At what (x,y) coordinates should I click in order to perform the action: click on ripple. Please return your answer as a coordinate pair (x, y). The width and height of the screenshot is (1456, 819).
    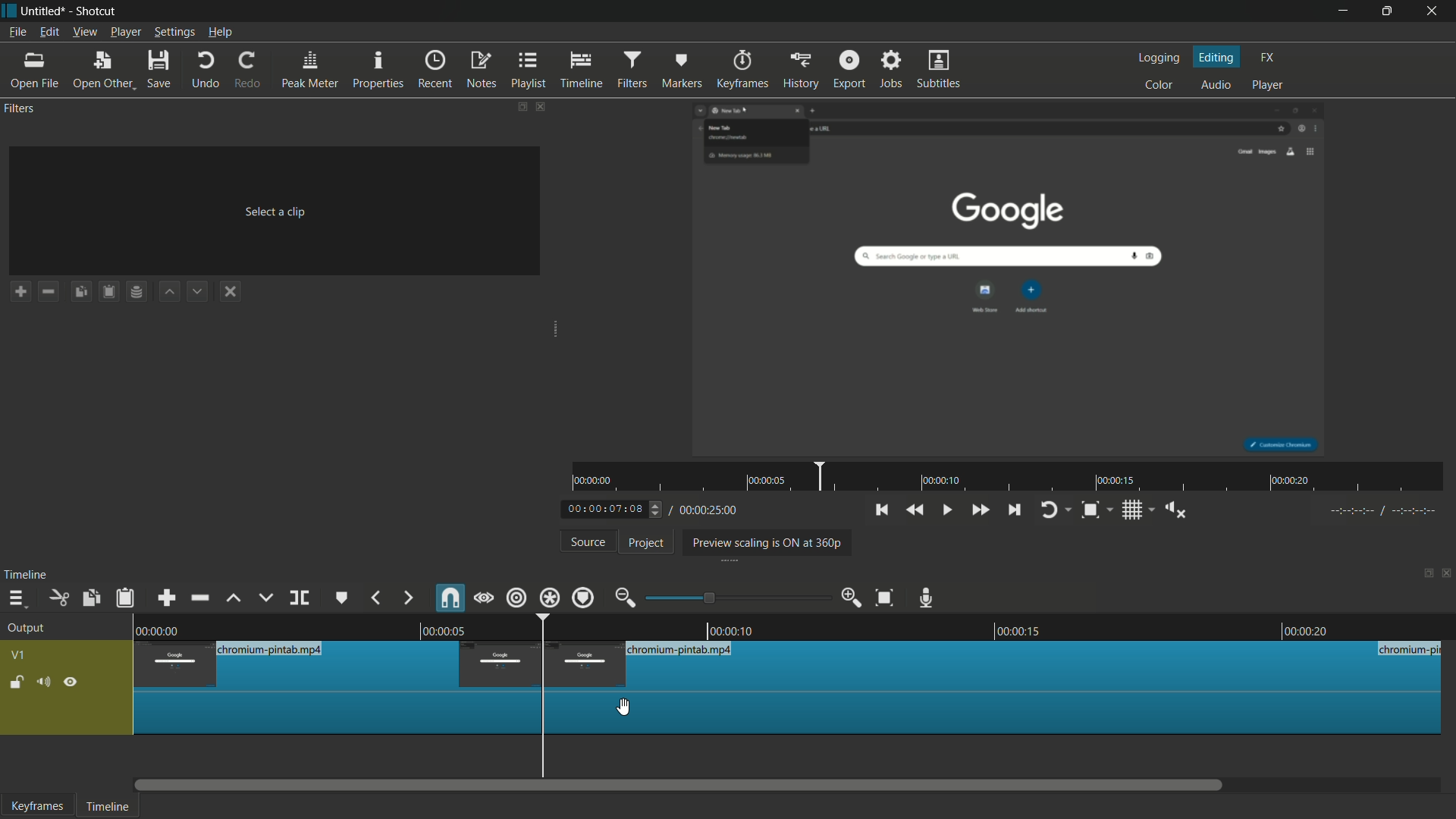
    Looking at the image, I should click on (516, 598).